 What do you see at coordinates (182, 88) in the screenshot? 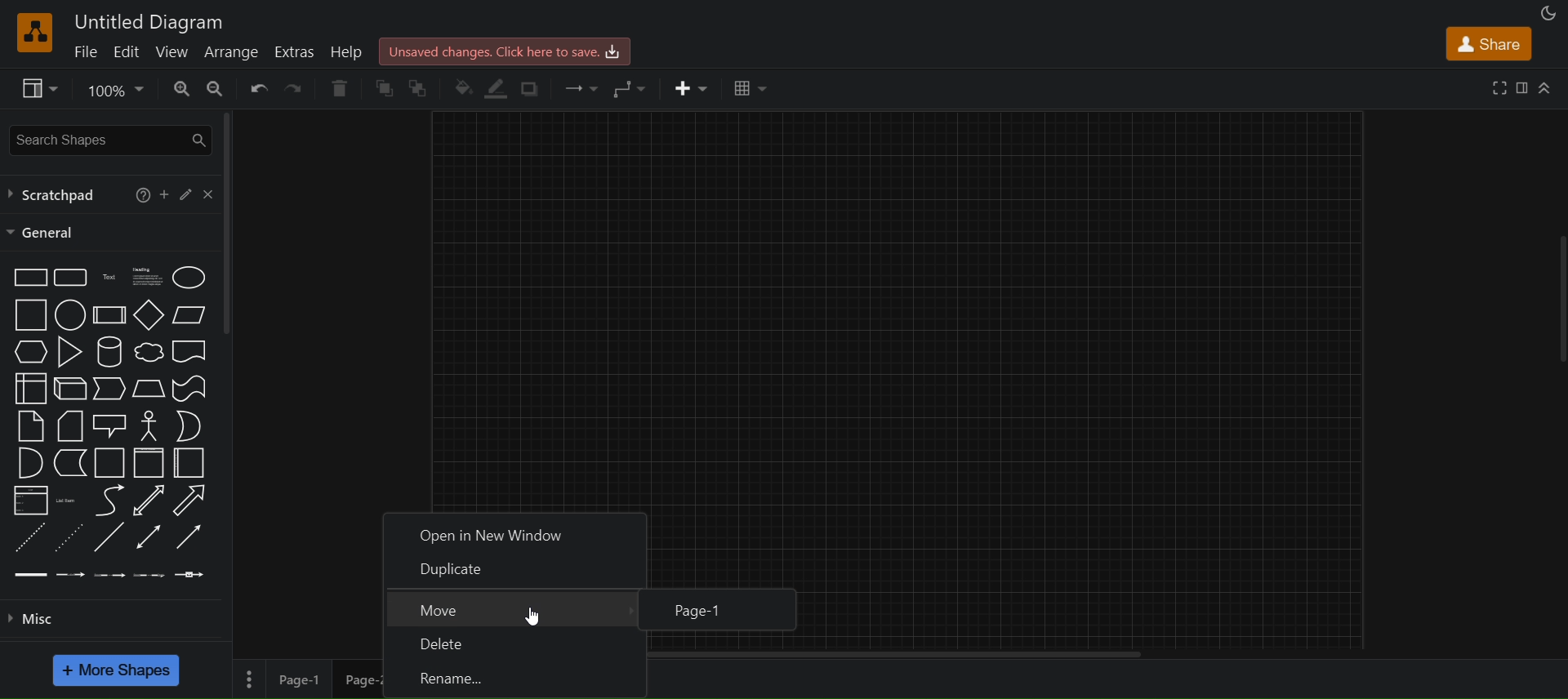
I see `zoom in` at bounding box center [182, 88].